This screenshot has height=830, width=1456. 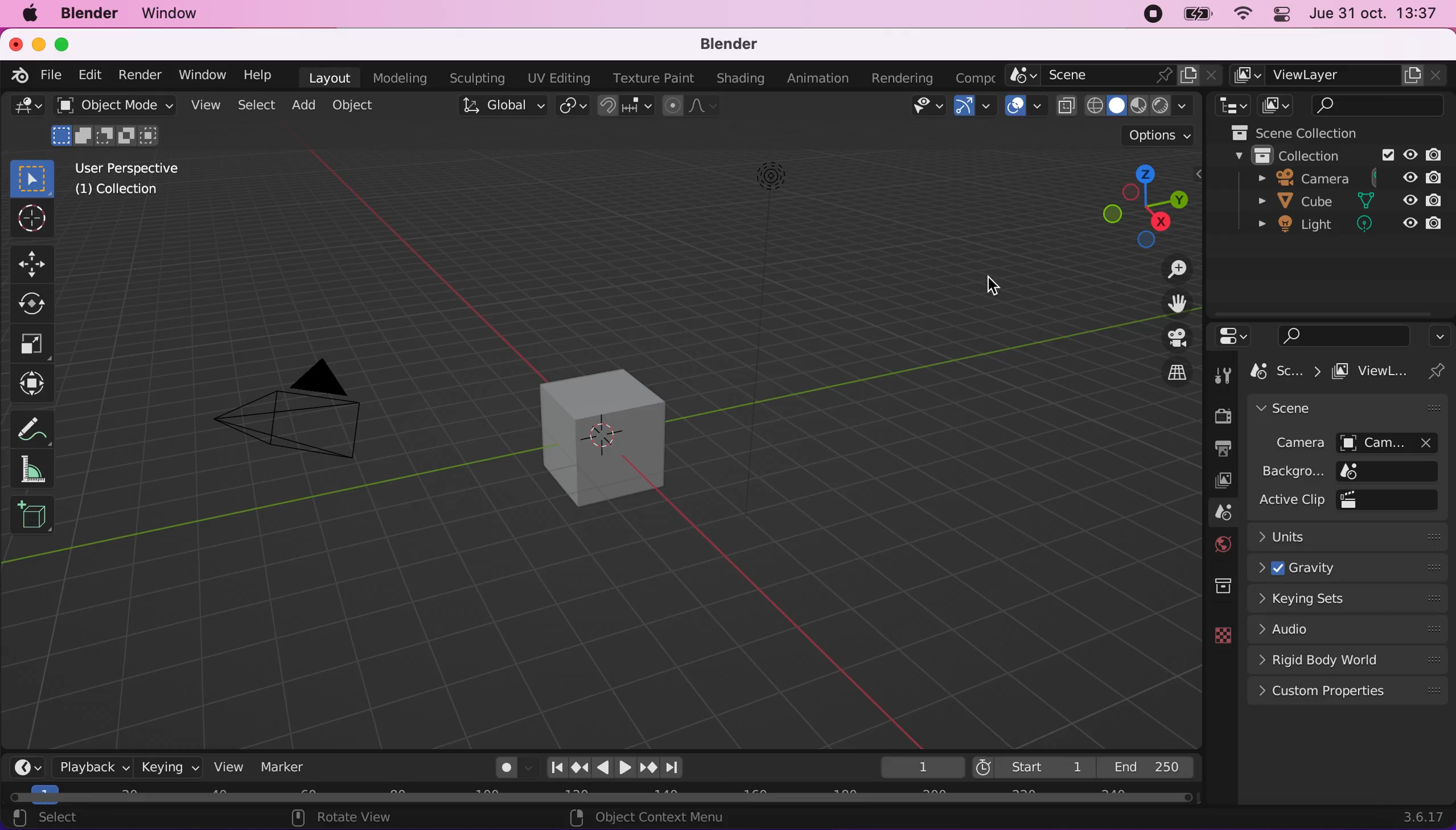 I want to click on rotate view, so click(x=343, y=818).